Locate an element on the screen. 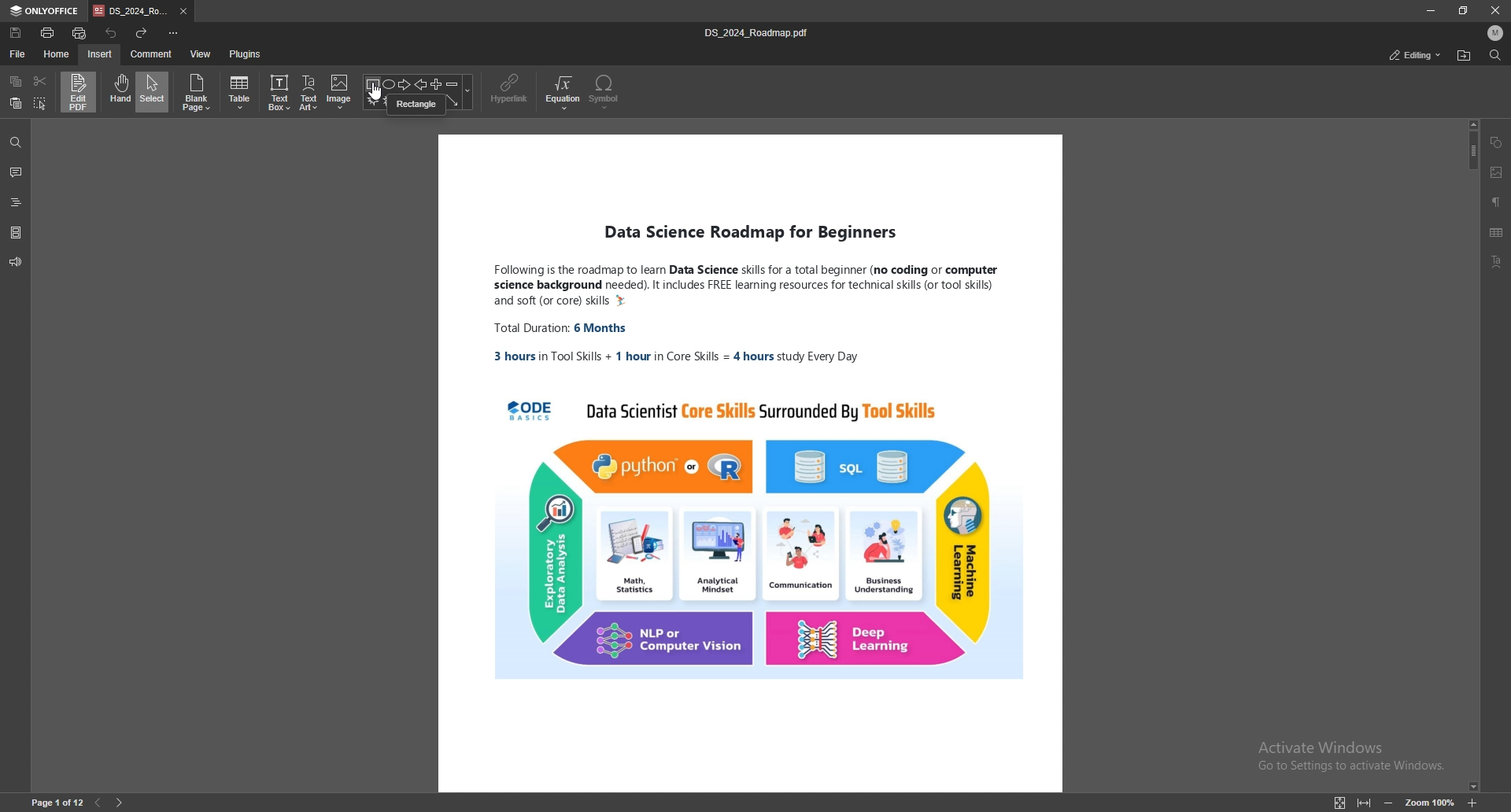 The image size is (1511, 812). cut is located at coordinates (39, 80).